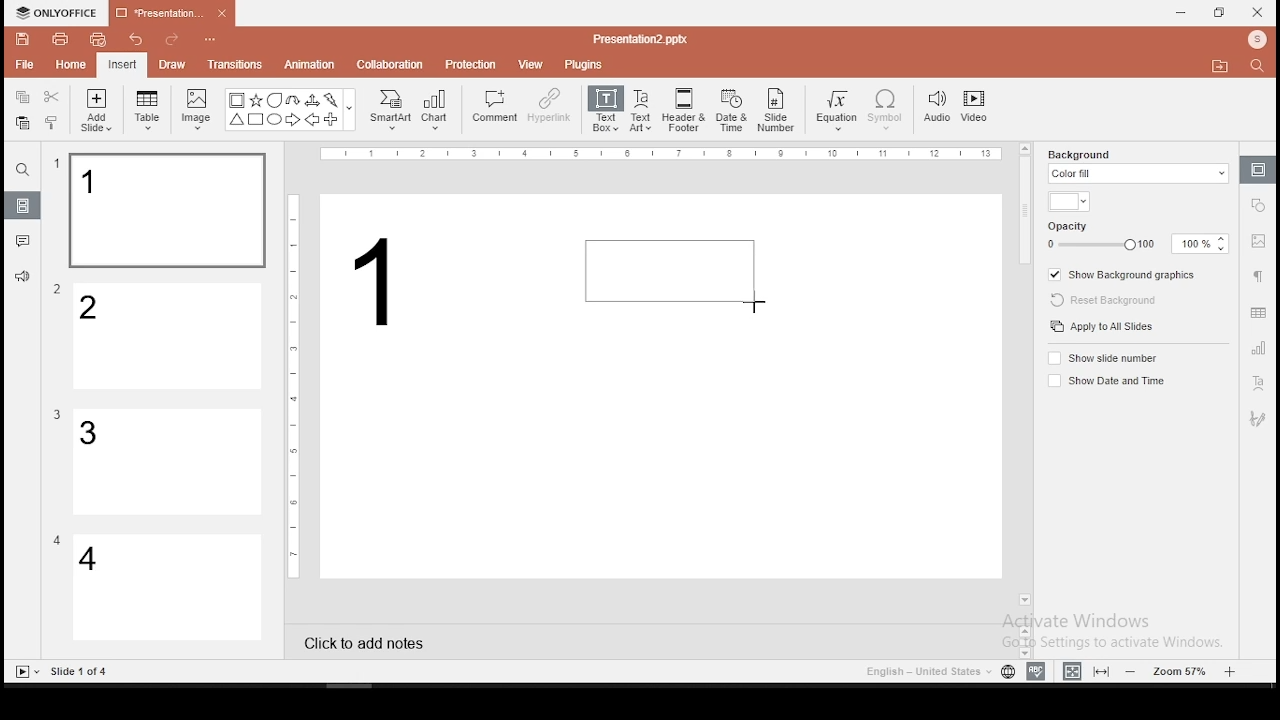  I want to click on slide 3, so click(165, 462).